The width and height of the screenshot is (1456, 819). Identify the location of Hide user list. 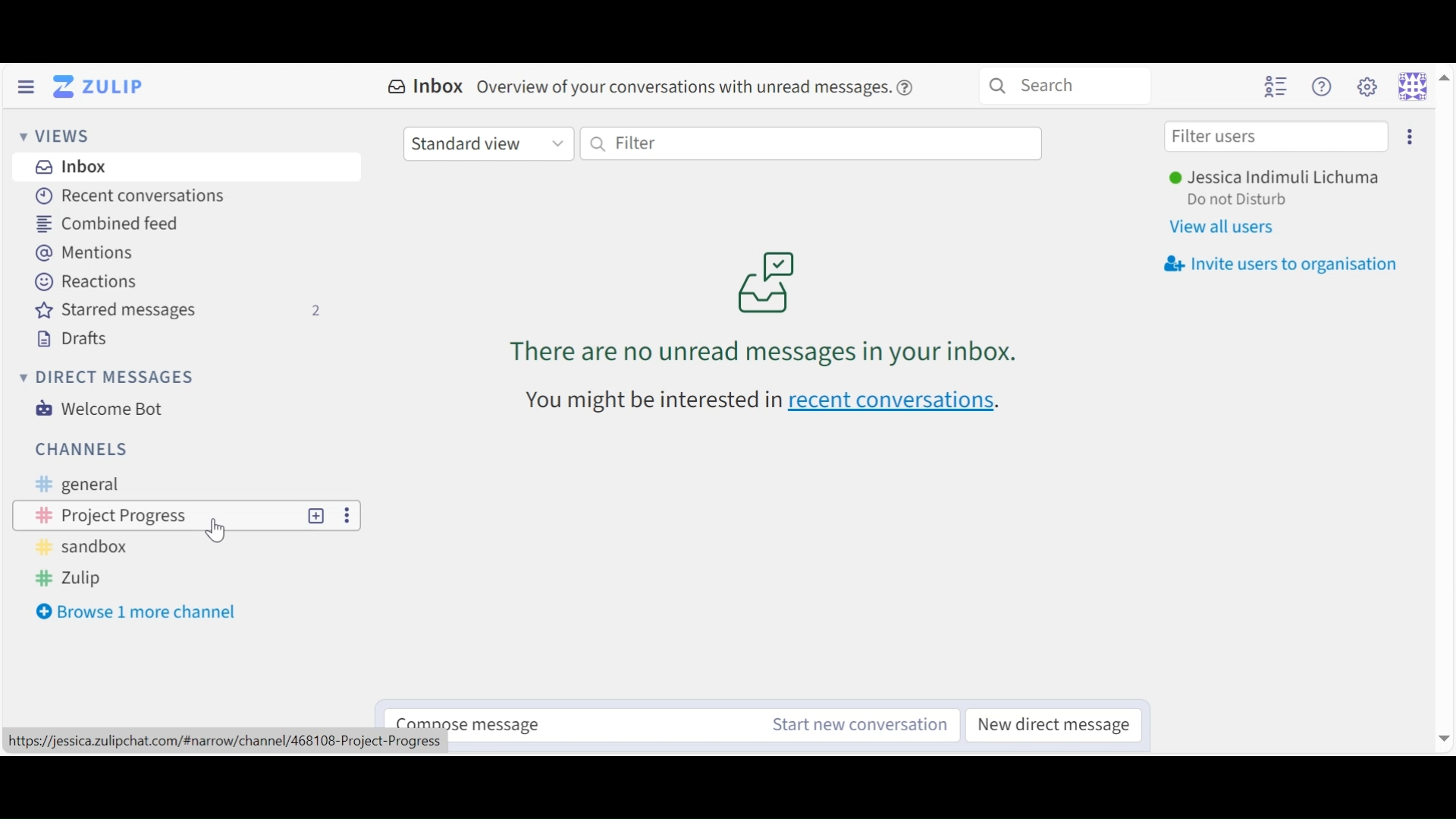
(1273, 88).